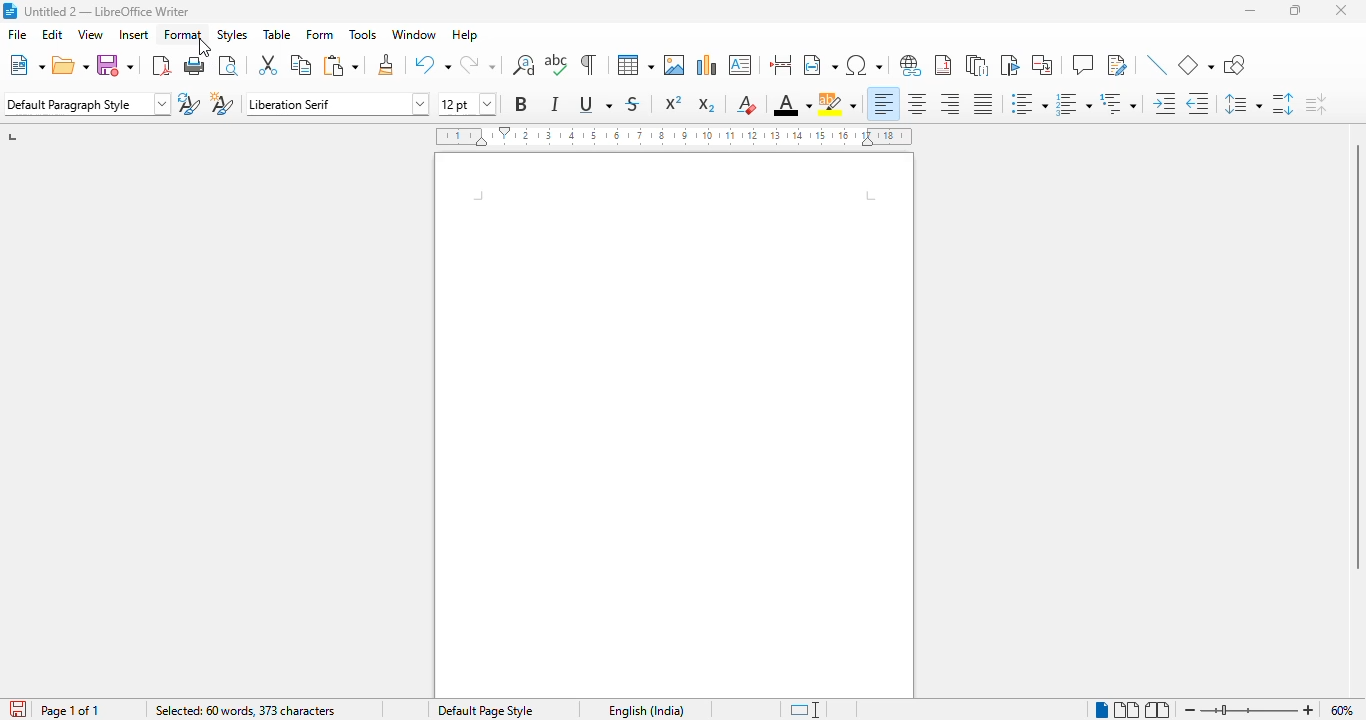 The width and height of the screenshot is (1366, 720). What do you see at coordinates (949, 103) in the screenshot?
I see `align right` at bounding box center [949, 103].